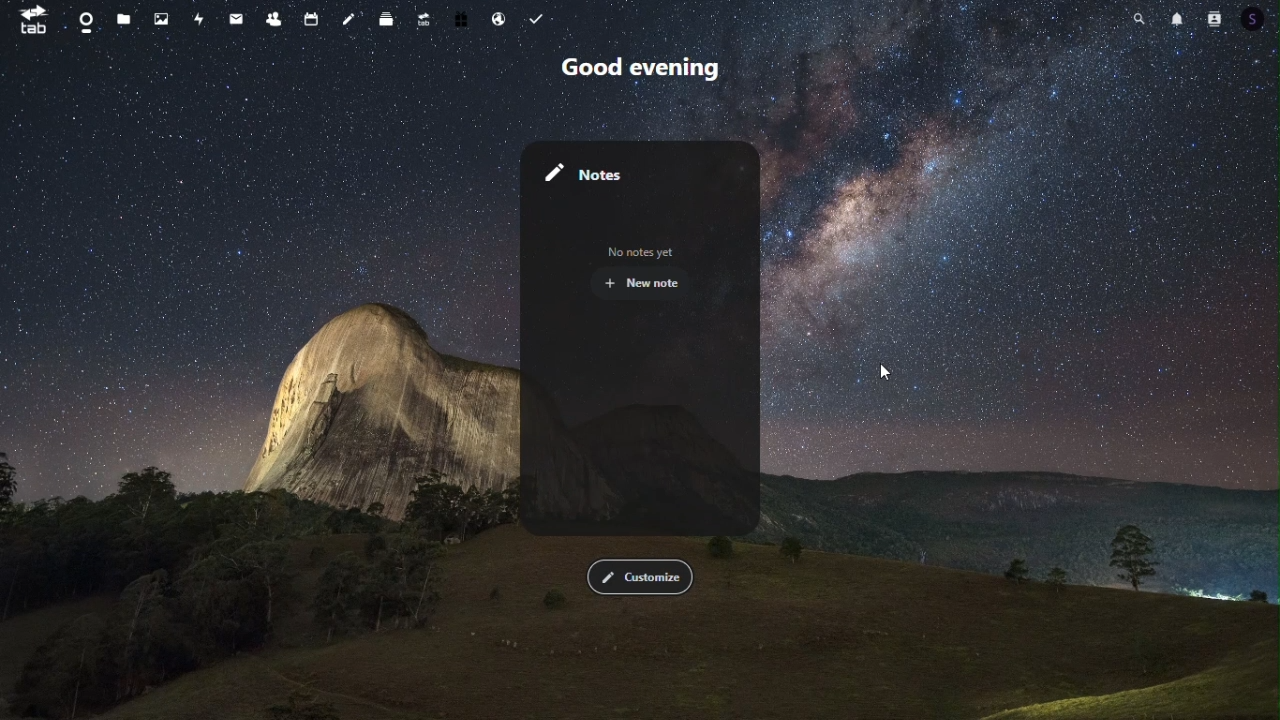 Image resolution: width=1280 pixels, height=720 pixels. What do you see at coordinates (1179, 19) in the screenshot?
I see `Notifications` at bounding box center [1179, 19].